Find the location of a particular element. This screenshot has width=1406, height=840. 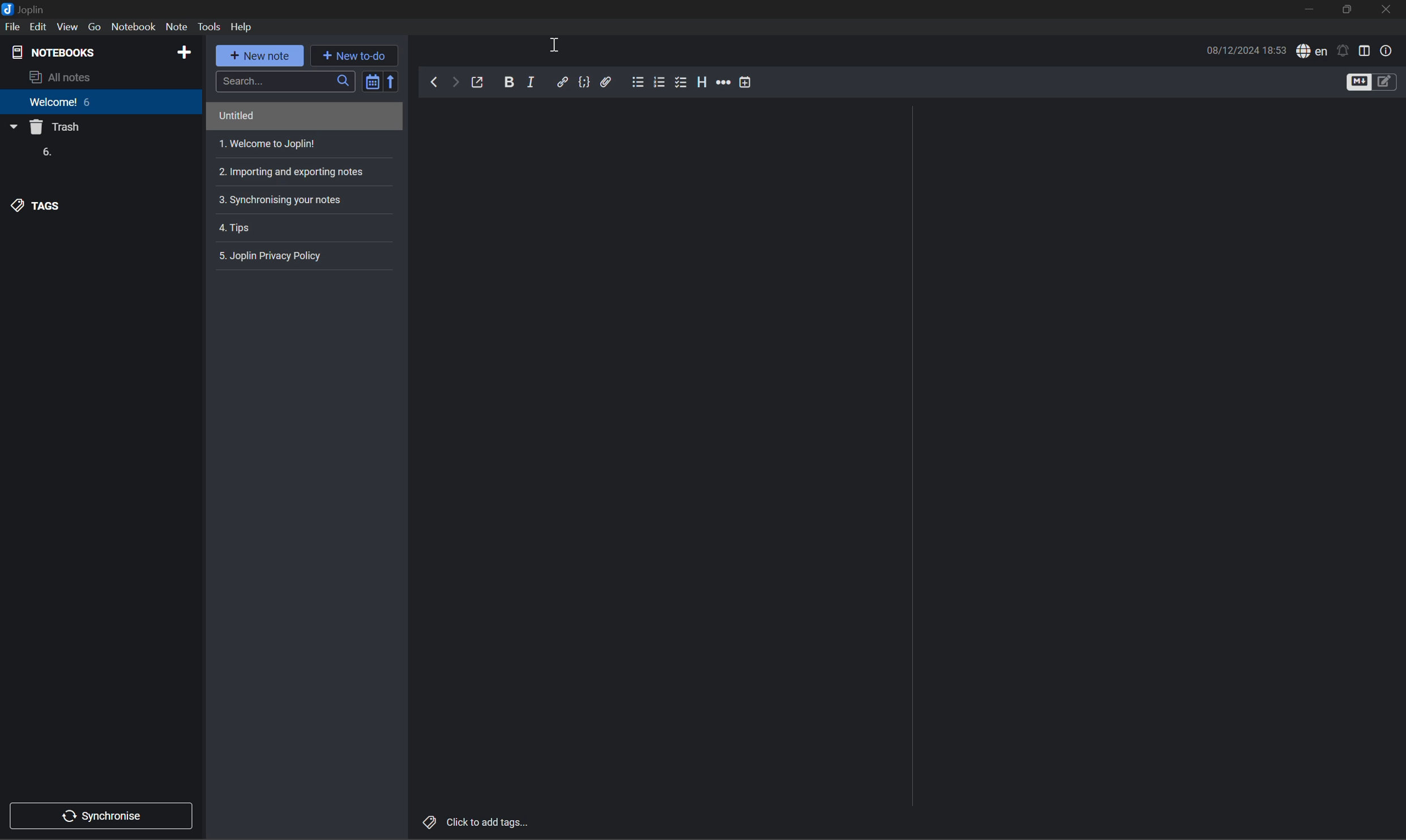

Drop Down is located at coordinates (12, 128).